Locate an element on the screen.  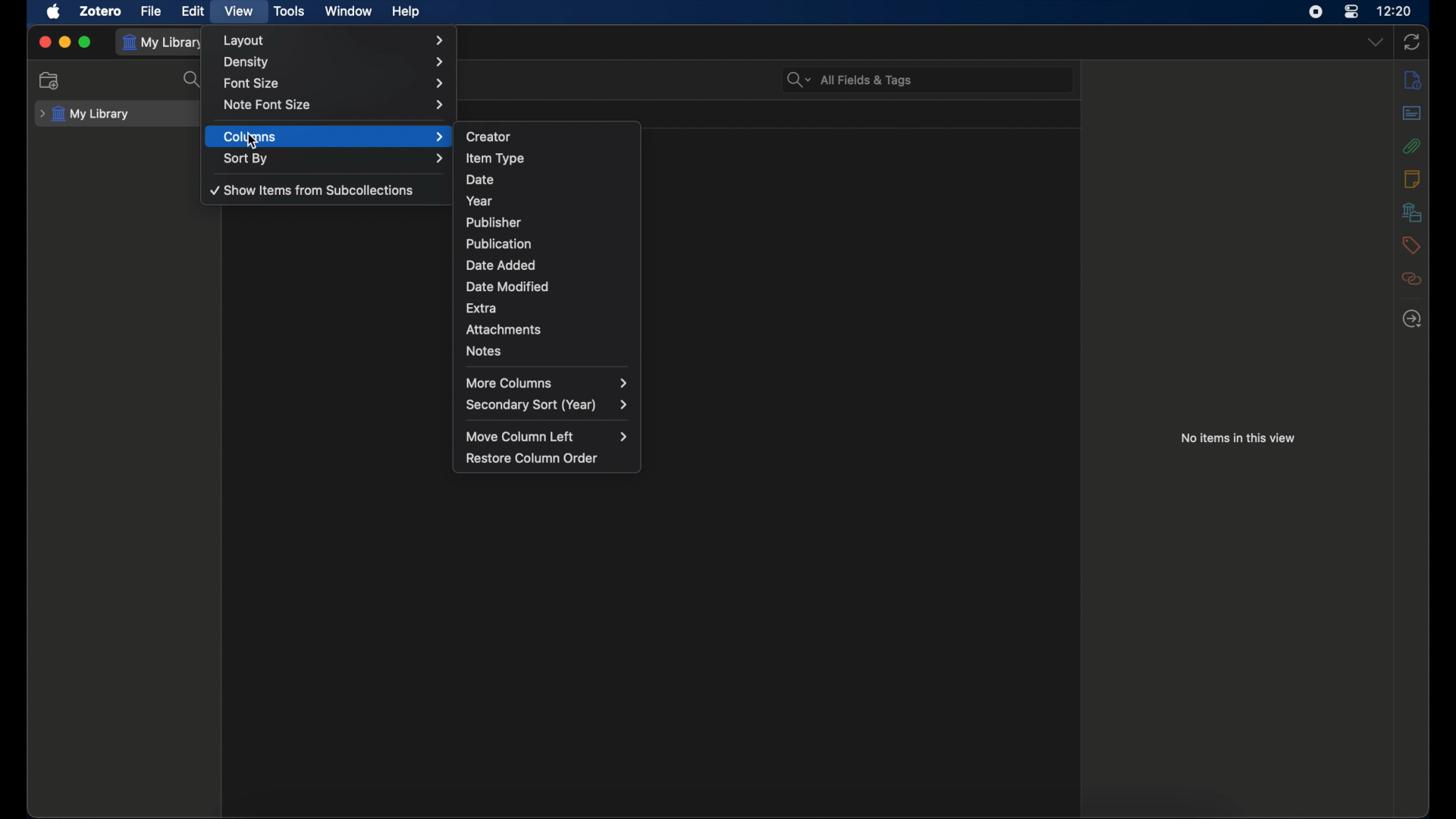
search bar is located at coordinates (848, 80).